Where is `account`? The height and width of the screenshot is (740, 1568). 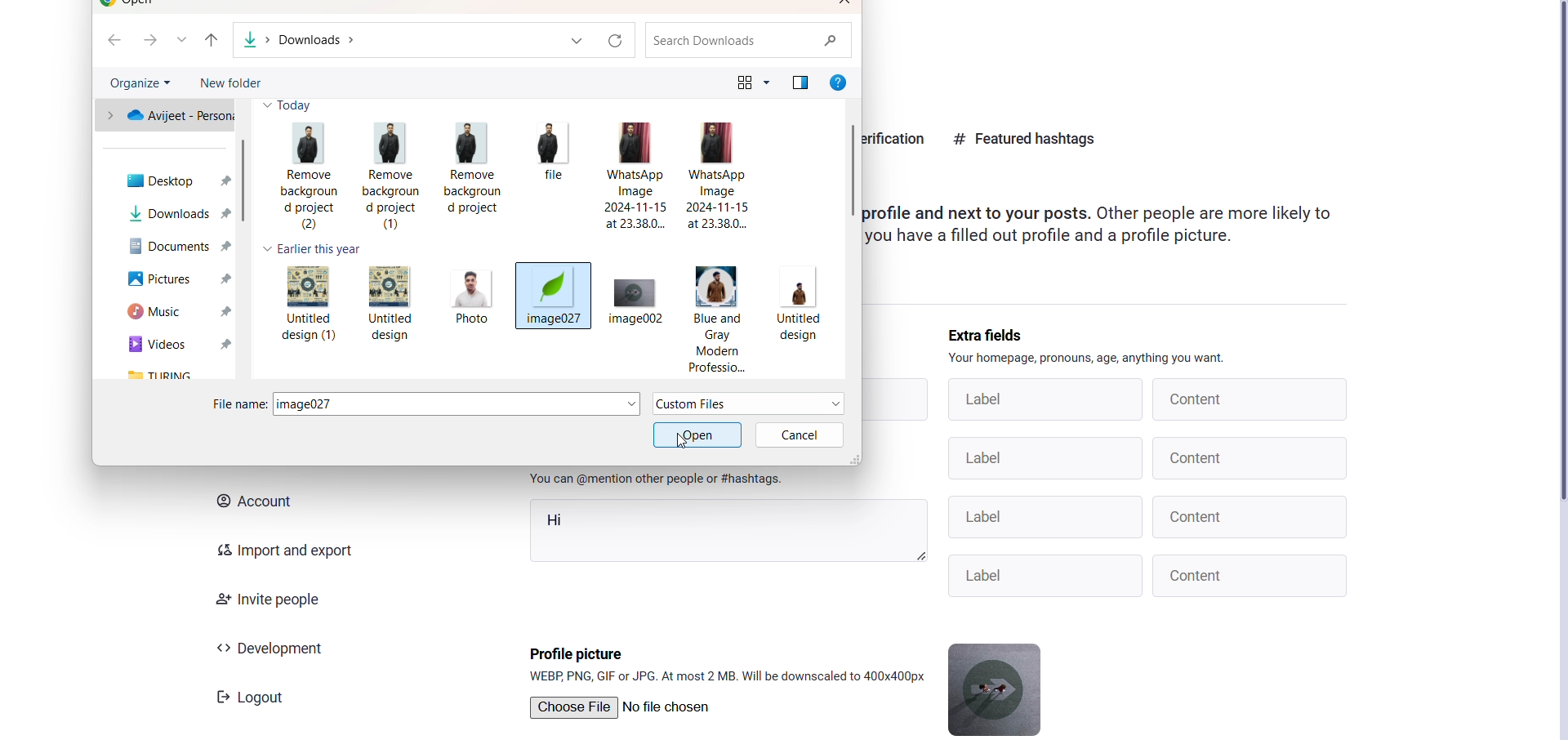 account is located at coordinates (252, 502).